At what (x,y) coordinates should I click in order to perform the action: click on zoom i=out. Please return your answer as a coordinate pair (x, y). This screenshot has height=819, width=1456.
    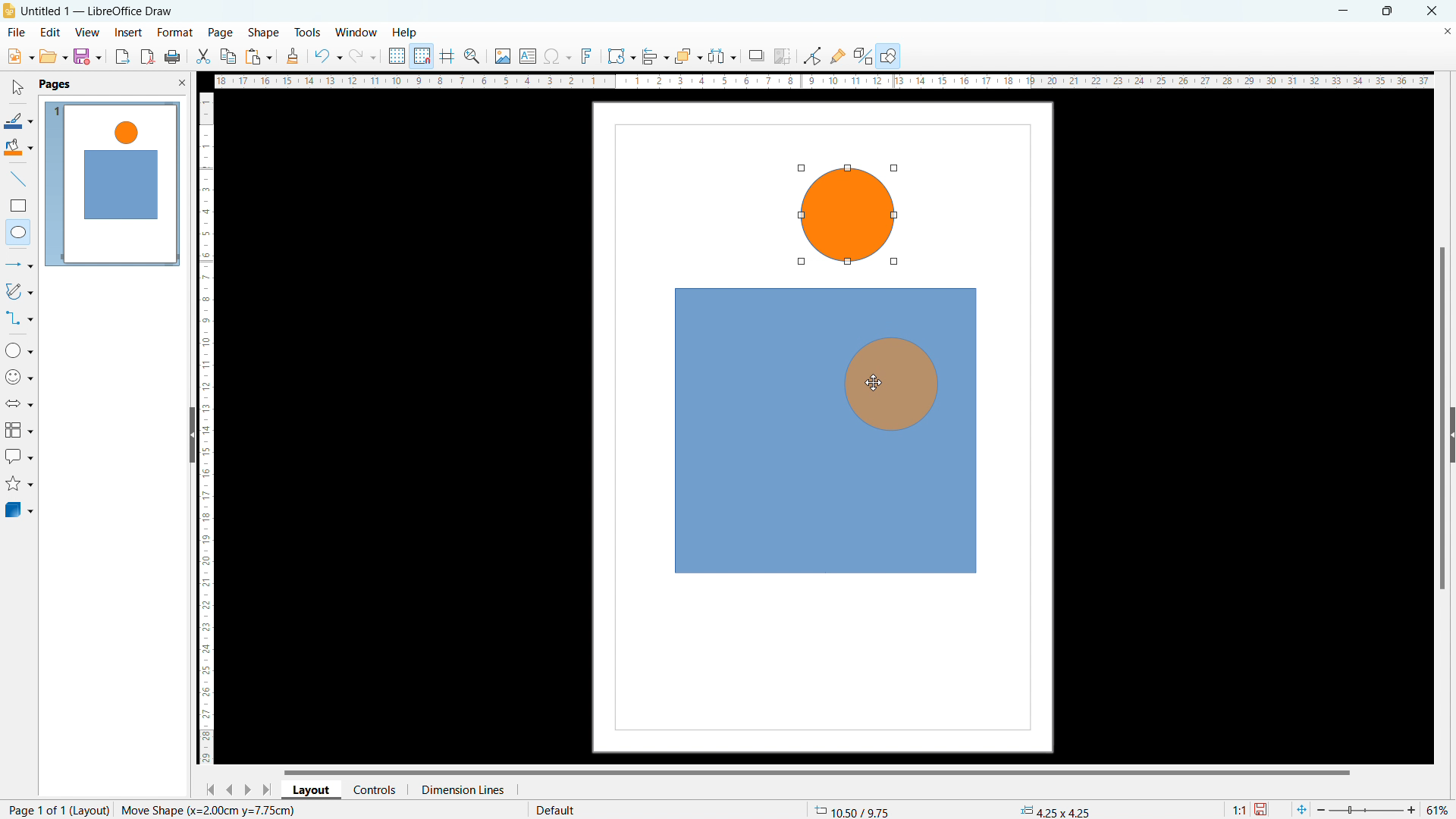
    Looking at the image, I should click on (1323, 808).